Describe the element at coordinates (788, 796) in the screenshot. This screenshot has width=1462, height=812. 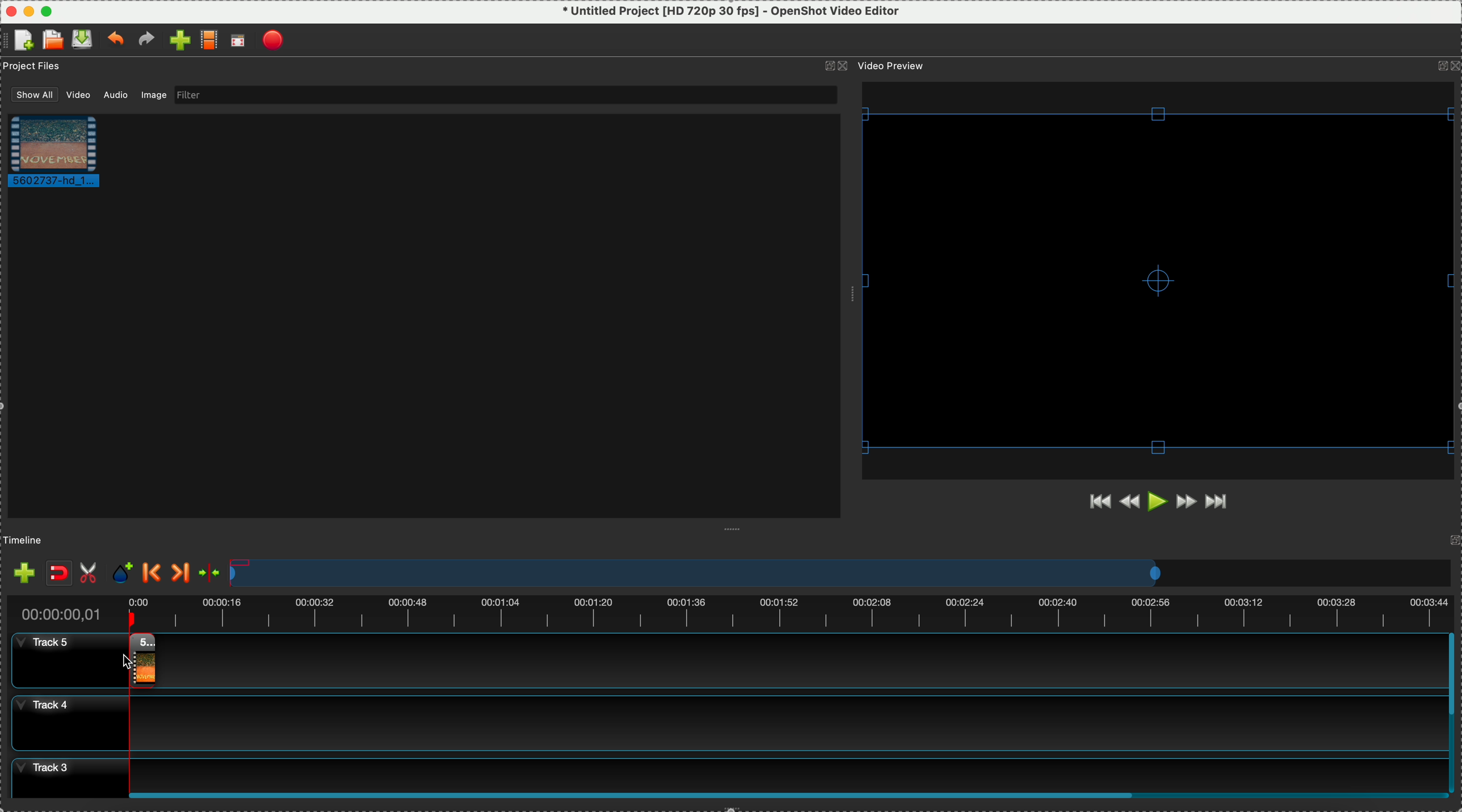
I see `Horizontal scroll bar` at that location.